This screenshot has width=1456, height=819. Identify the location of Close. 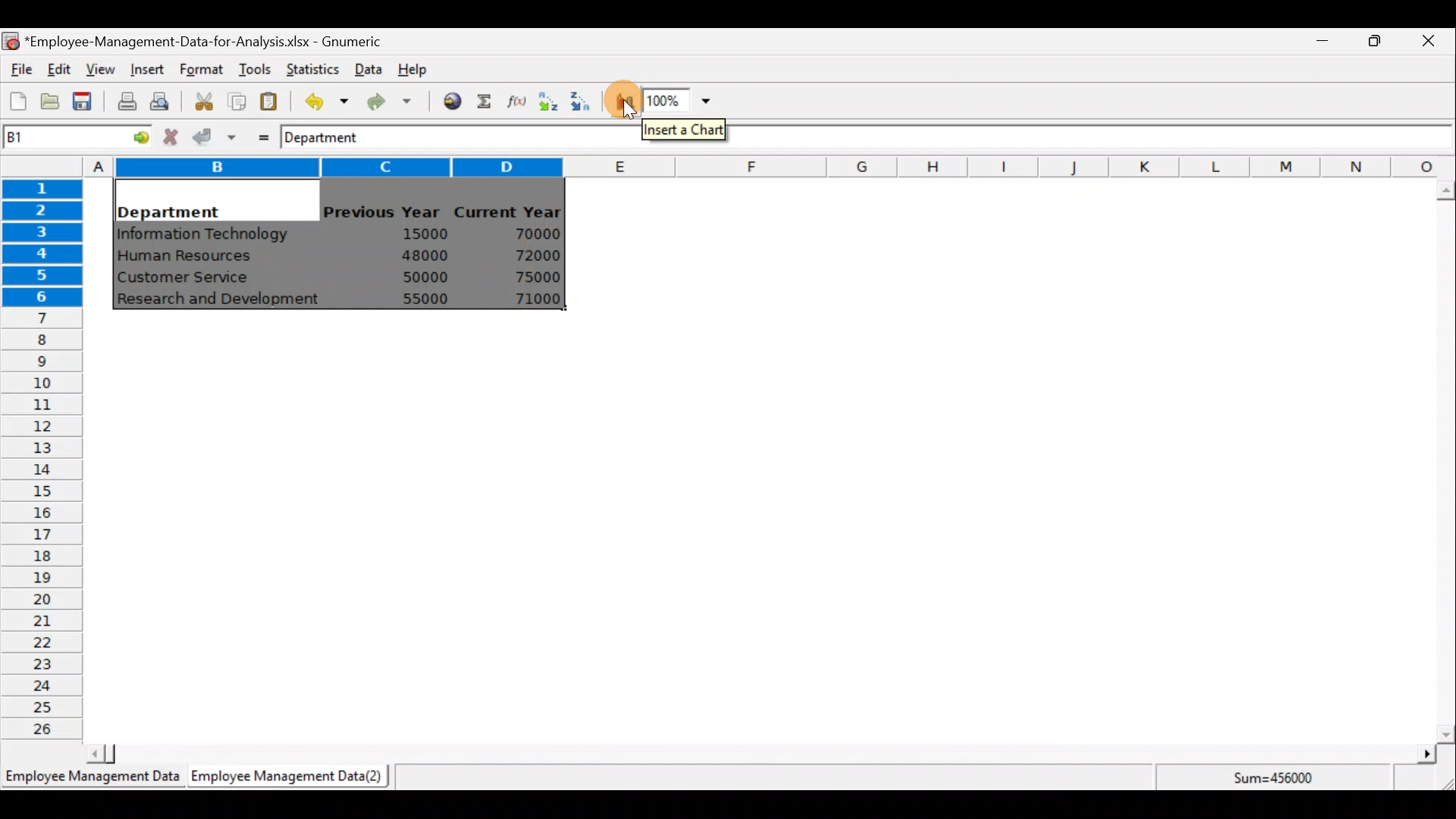
(1427, 43).